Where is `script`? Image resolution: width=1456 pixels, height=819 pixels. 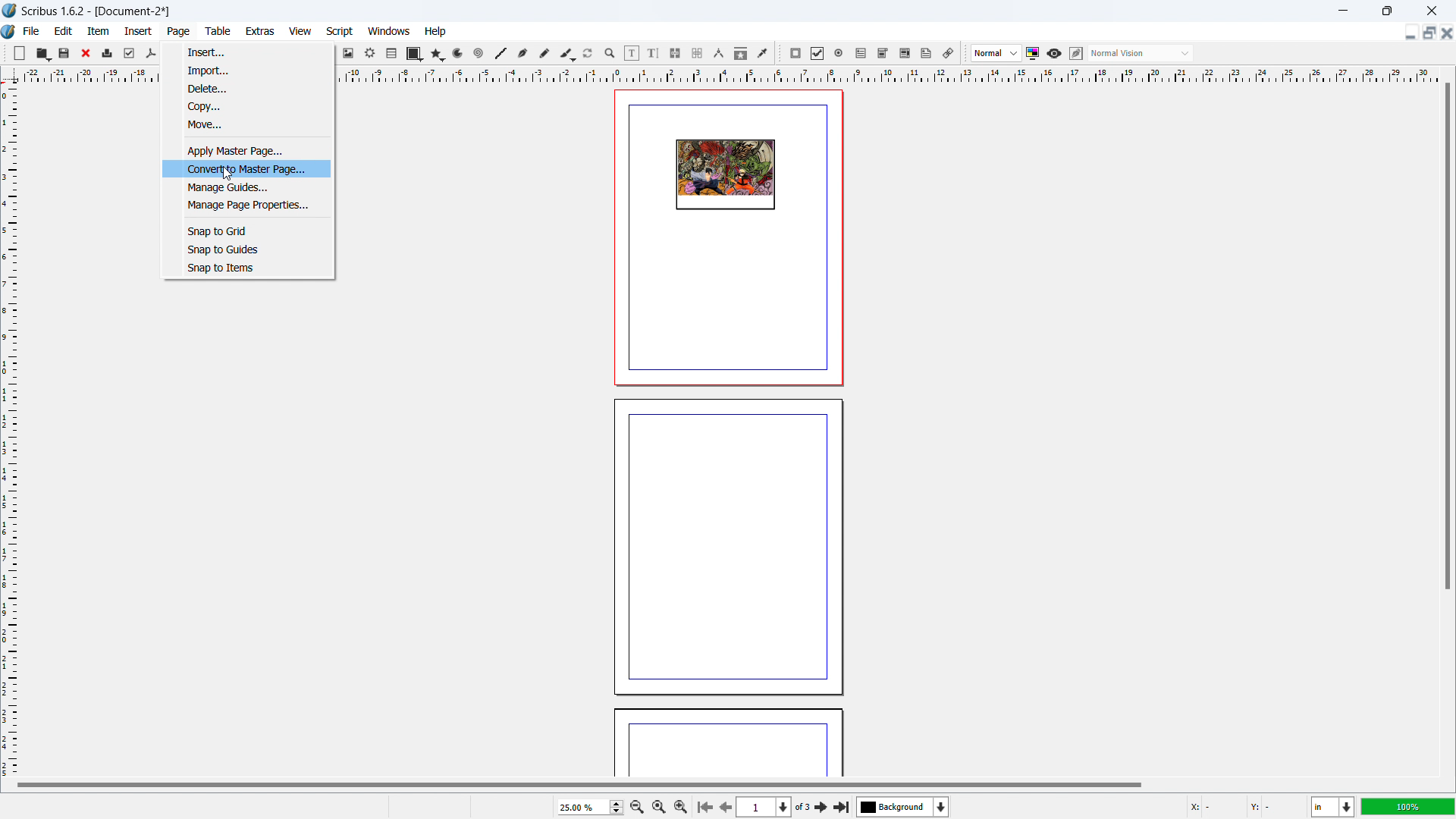
script is located at coordinates (340, 32).